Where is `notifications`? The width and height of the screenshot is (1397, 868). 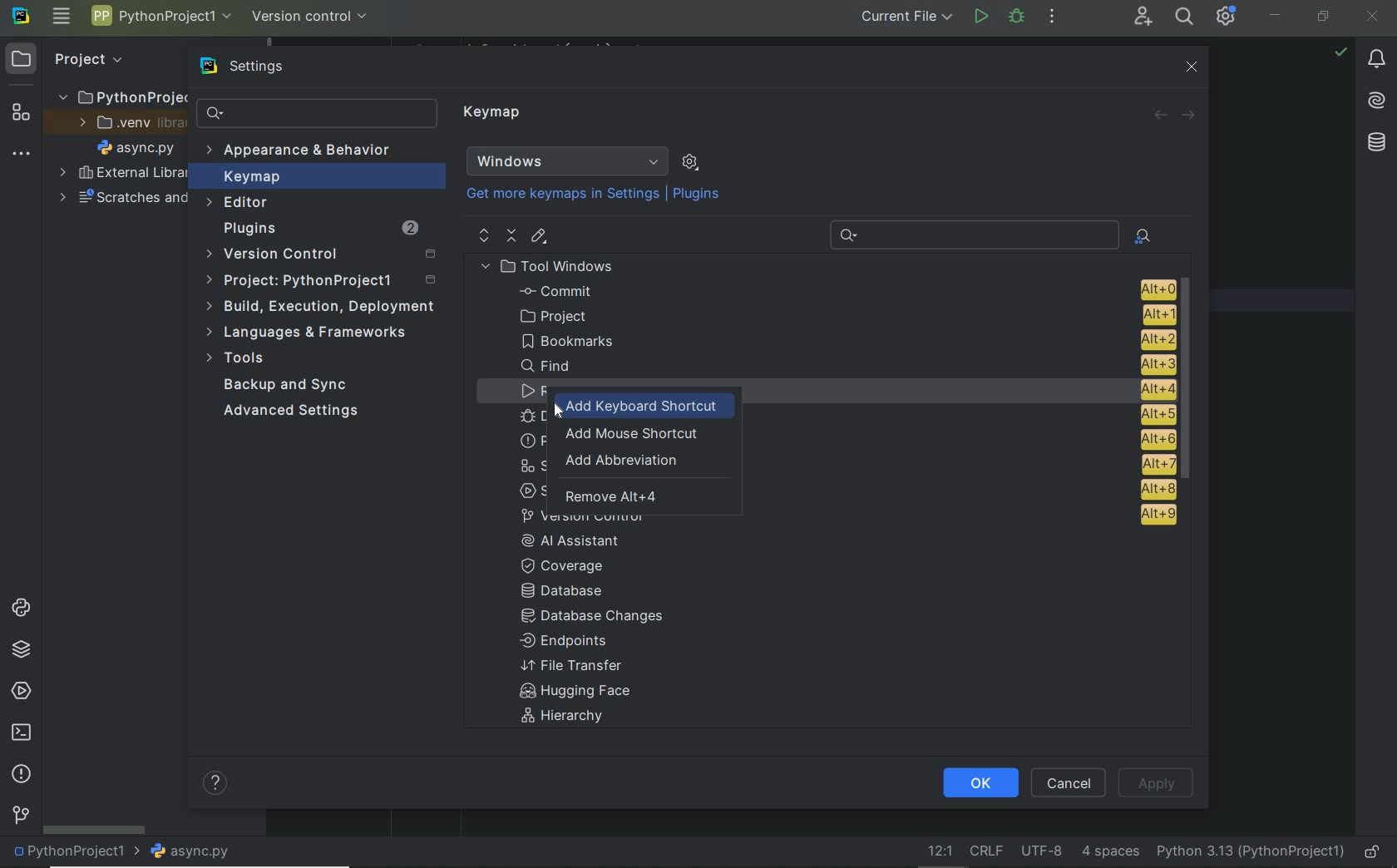 notifications is located at coordinates (1377, 60).